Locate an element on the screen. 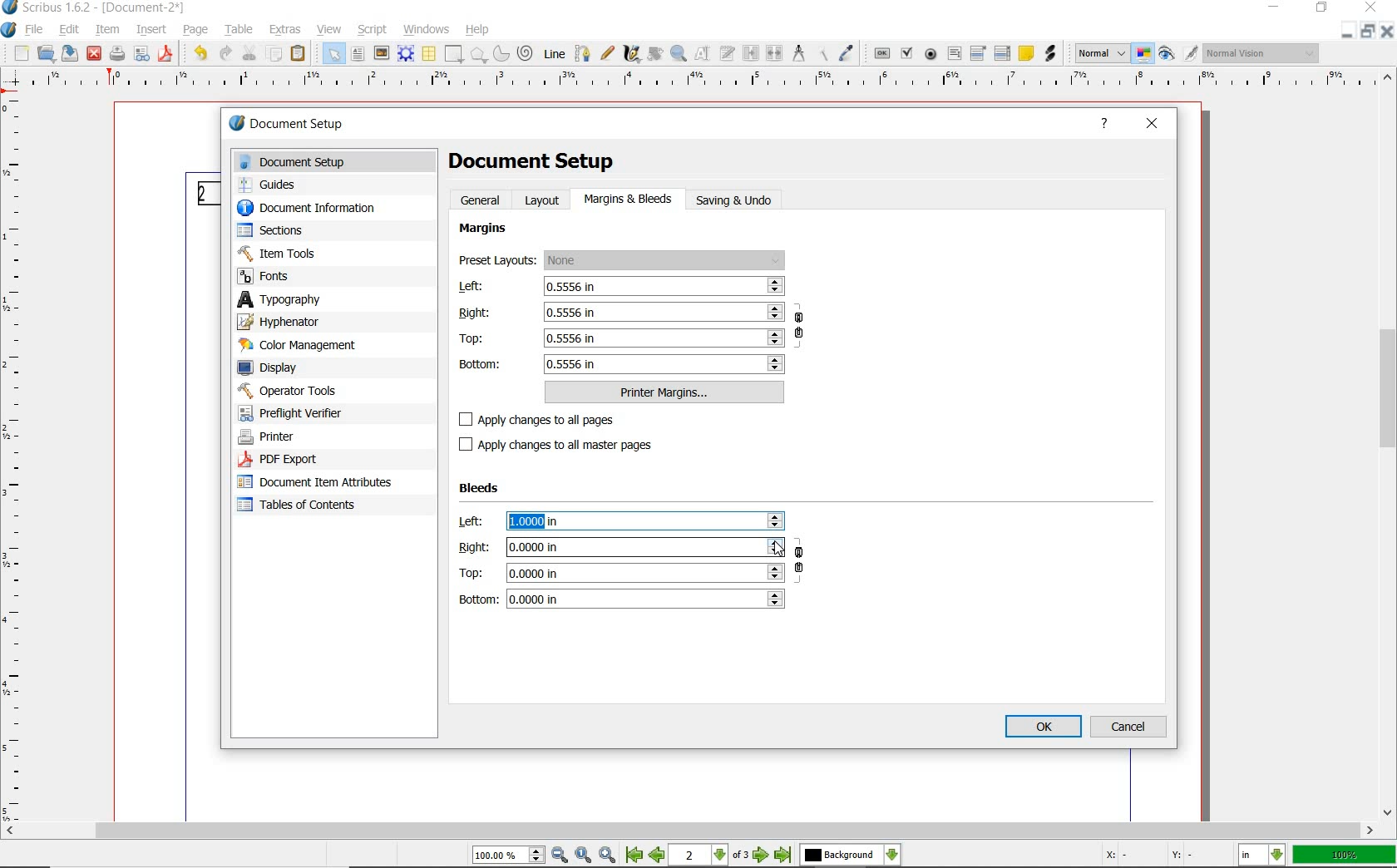 The image size is (1397, 868). pdf list box is located at coordinates (1003, 54).